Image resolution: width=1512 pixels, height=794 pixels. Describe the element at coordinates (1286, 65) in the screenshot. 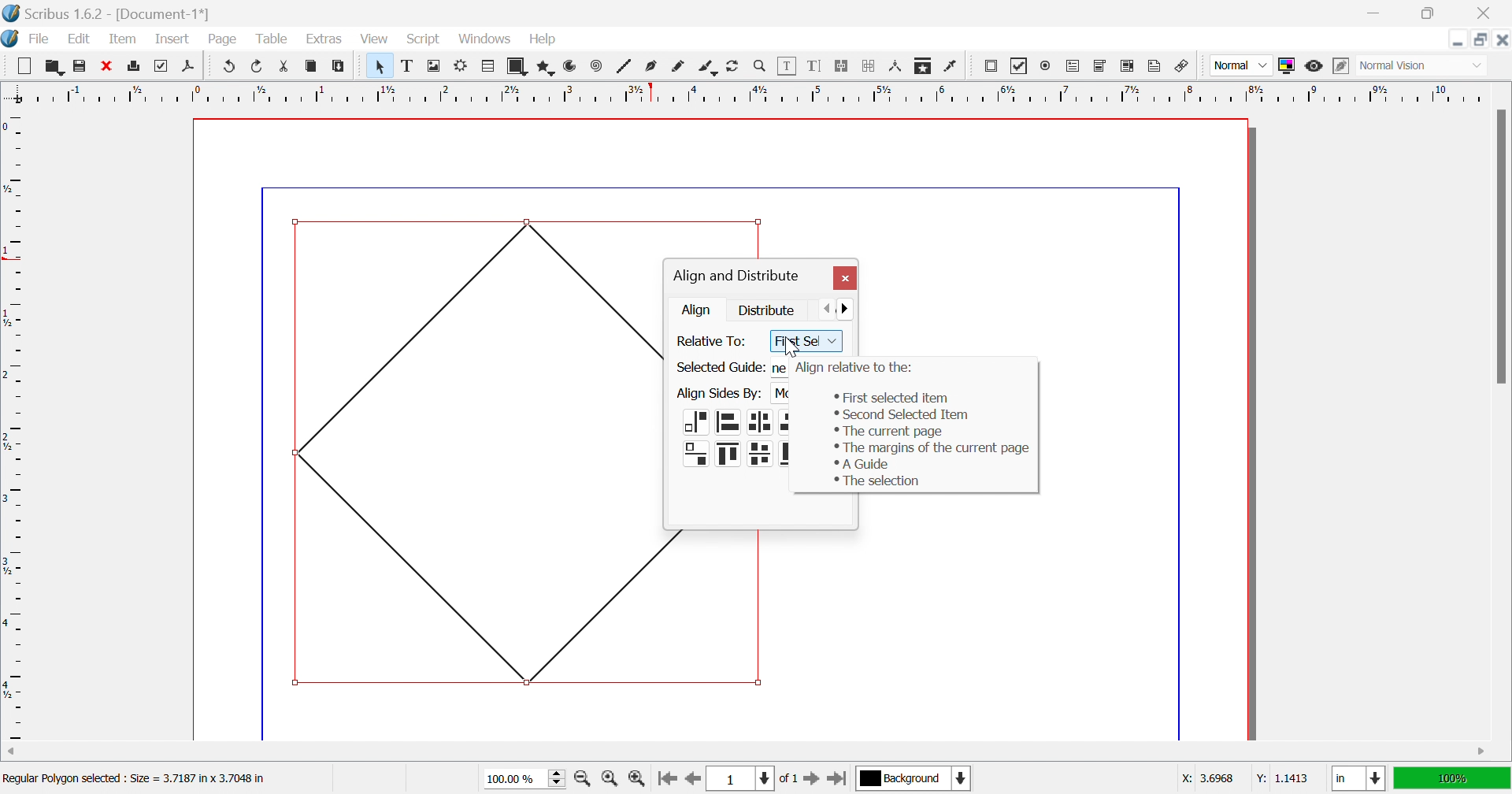

I see `Toggle Color Management System` at that location.